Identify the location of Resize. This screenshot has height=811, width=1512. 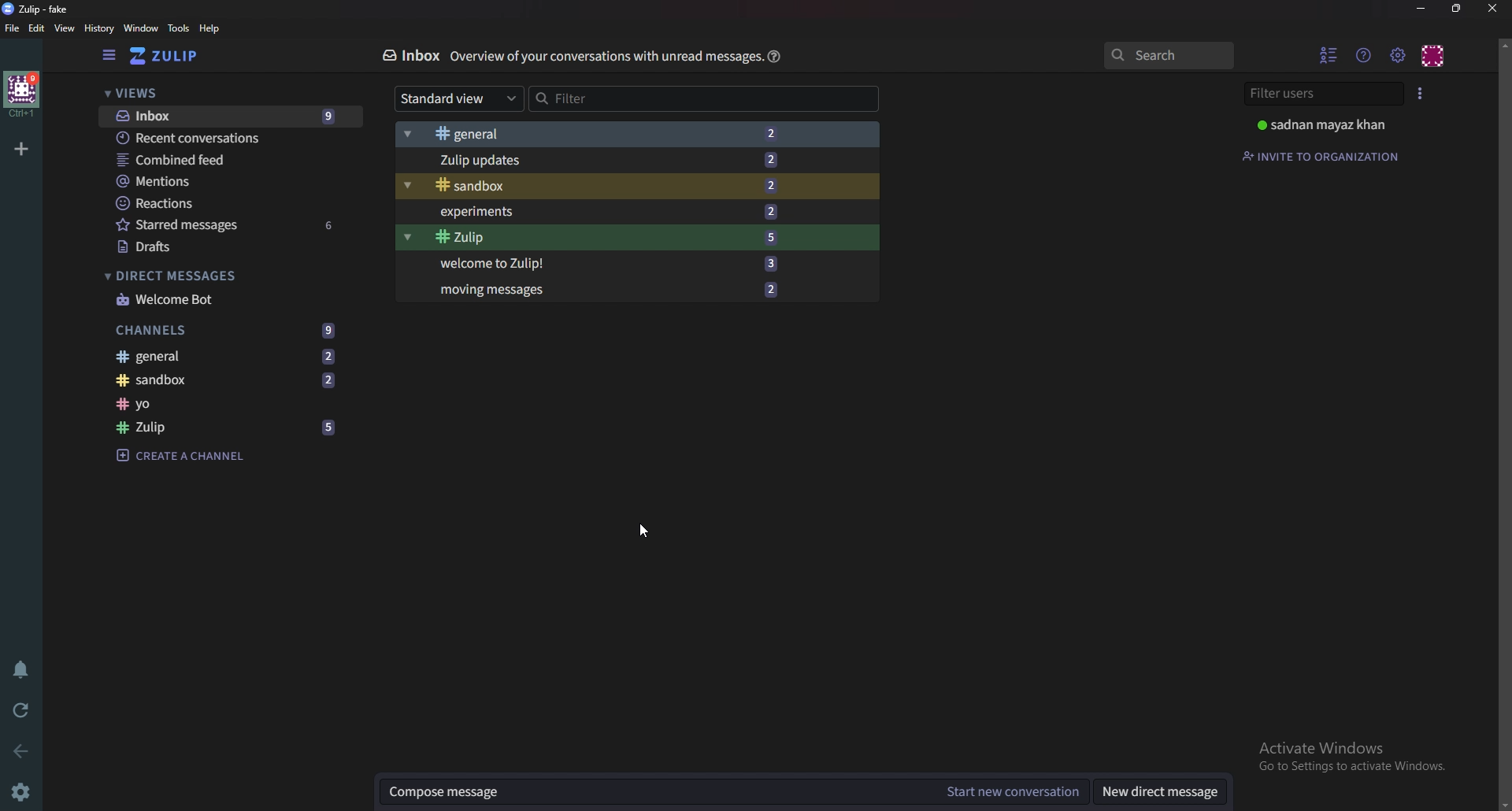
(1457, 9).